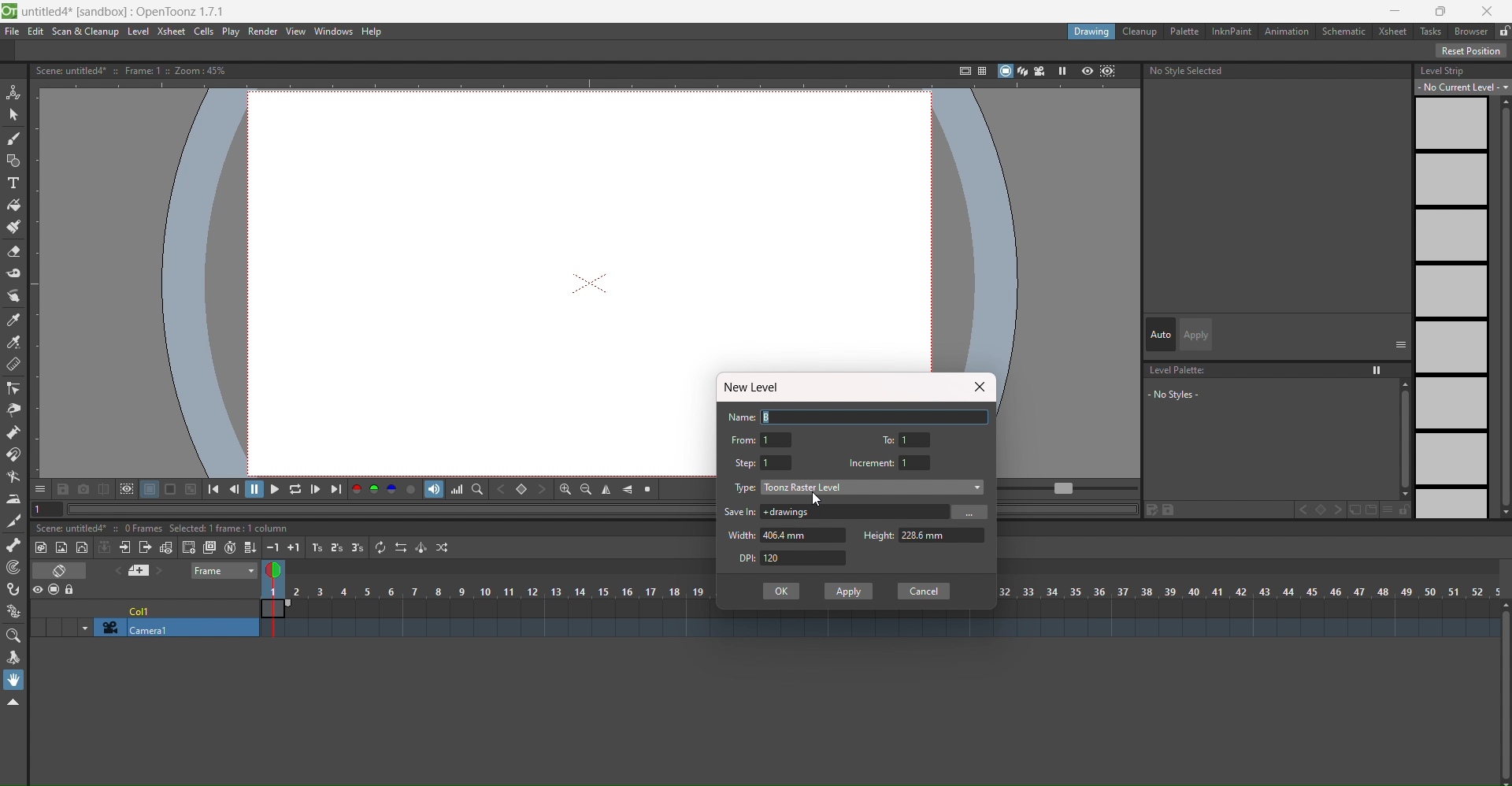 Image resolution: width=1512 pixels, height=786 pixels. What do you see at coordinates (13, 365) in the screenshot?
I see `ruler tool` at bounding box center [13, 365].